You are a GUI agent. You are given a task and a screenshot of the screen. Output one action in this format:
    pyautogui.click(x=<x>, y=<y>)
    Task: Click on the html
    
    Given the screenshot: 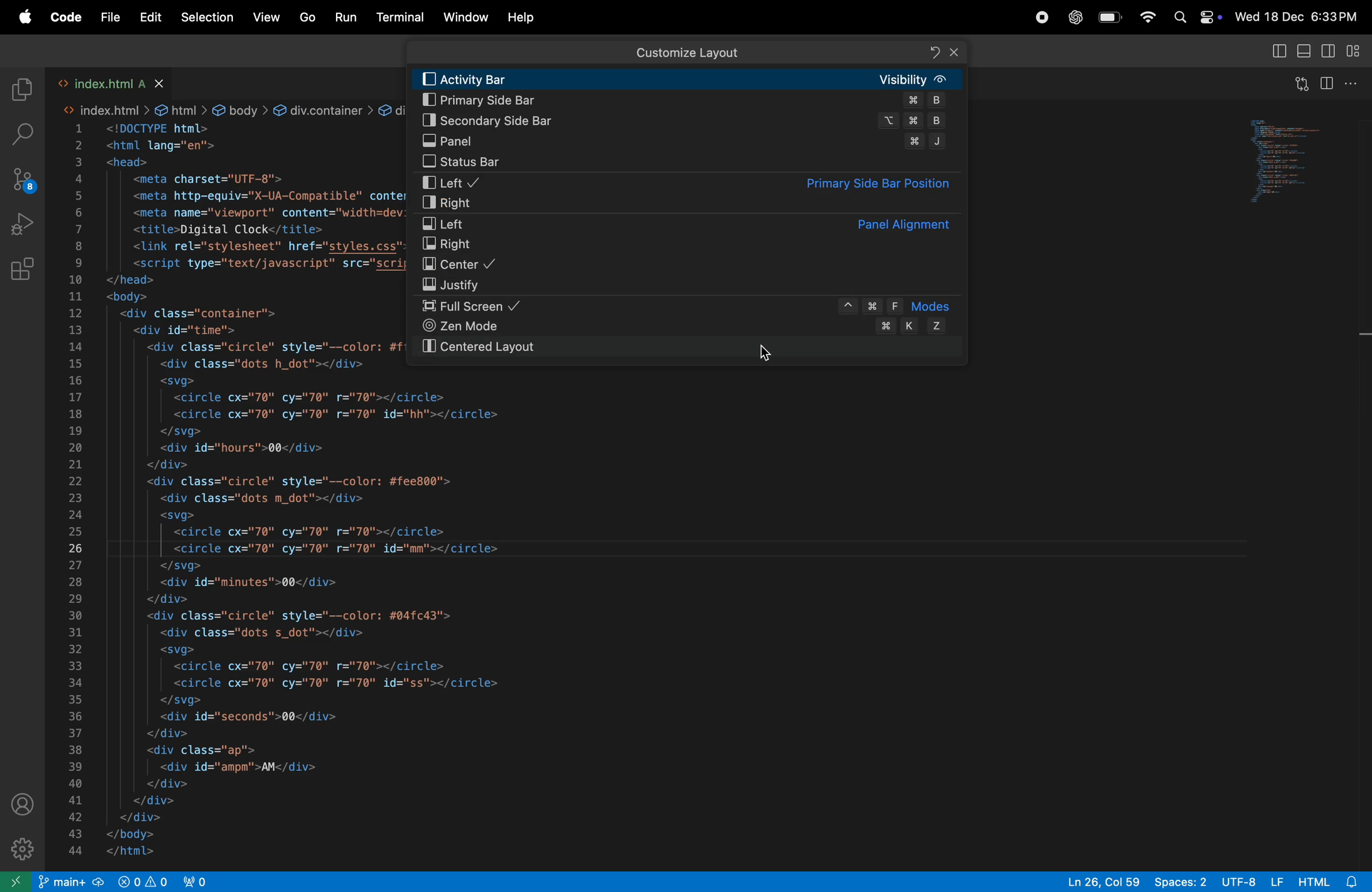 What is the action you would take?
    pyautogui.click(x=1332, y=881)
    